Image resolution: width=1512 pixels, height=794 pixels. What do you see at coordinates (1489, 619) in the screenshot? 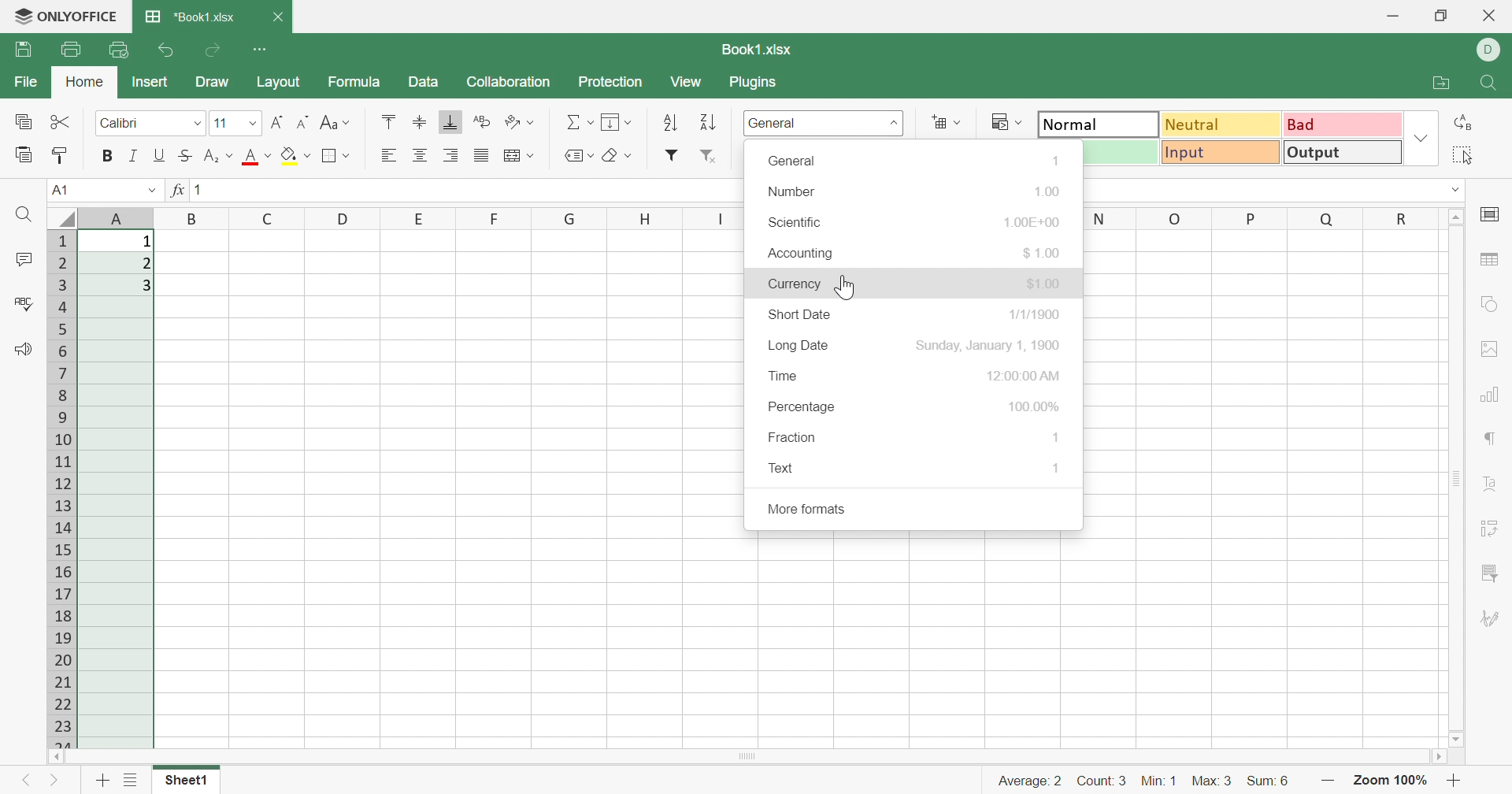
I see `Signature settings` at bounding box center [1489, 619].